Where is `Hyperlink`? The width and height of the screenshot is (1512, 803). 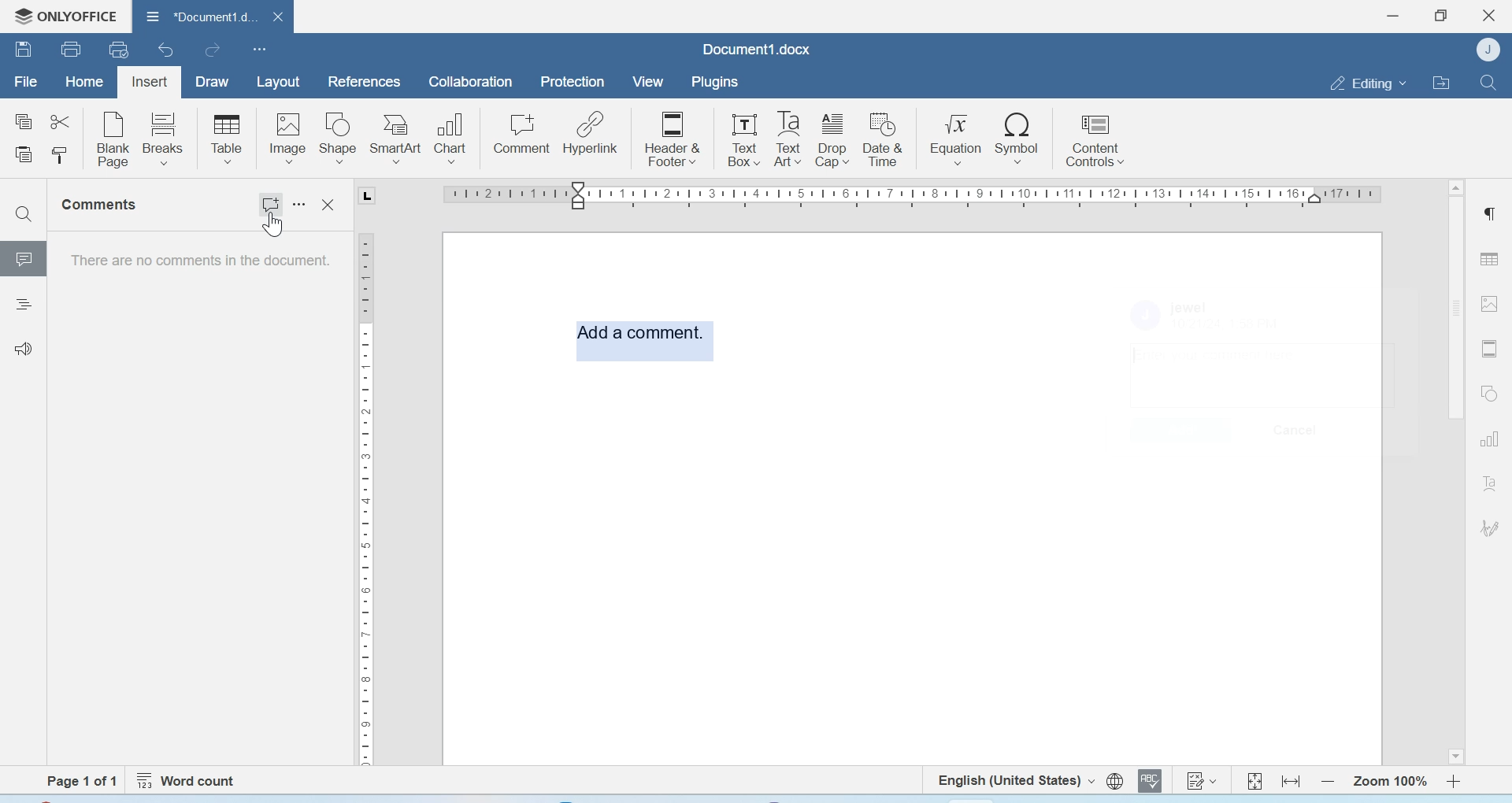 Hyperlink is located at coordinates (590, 133).